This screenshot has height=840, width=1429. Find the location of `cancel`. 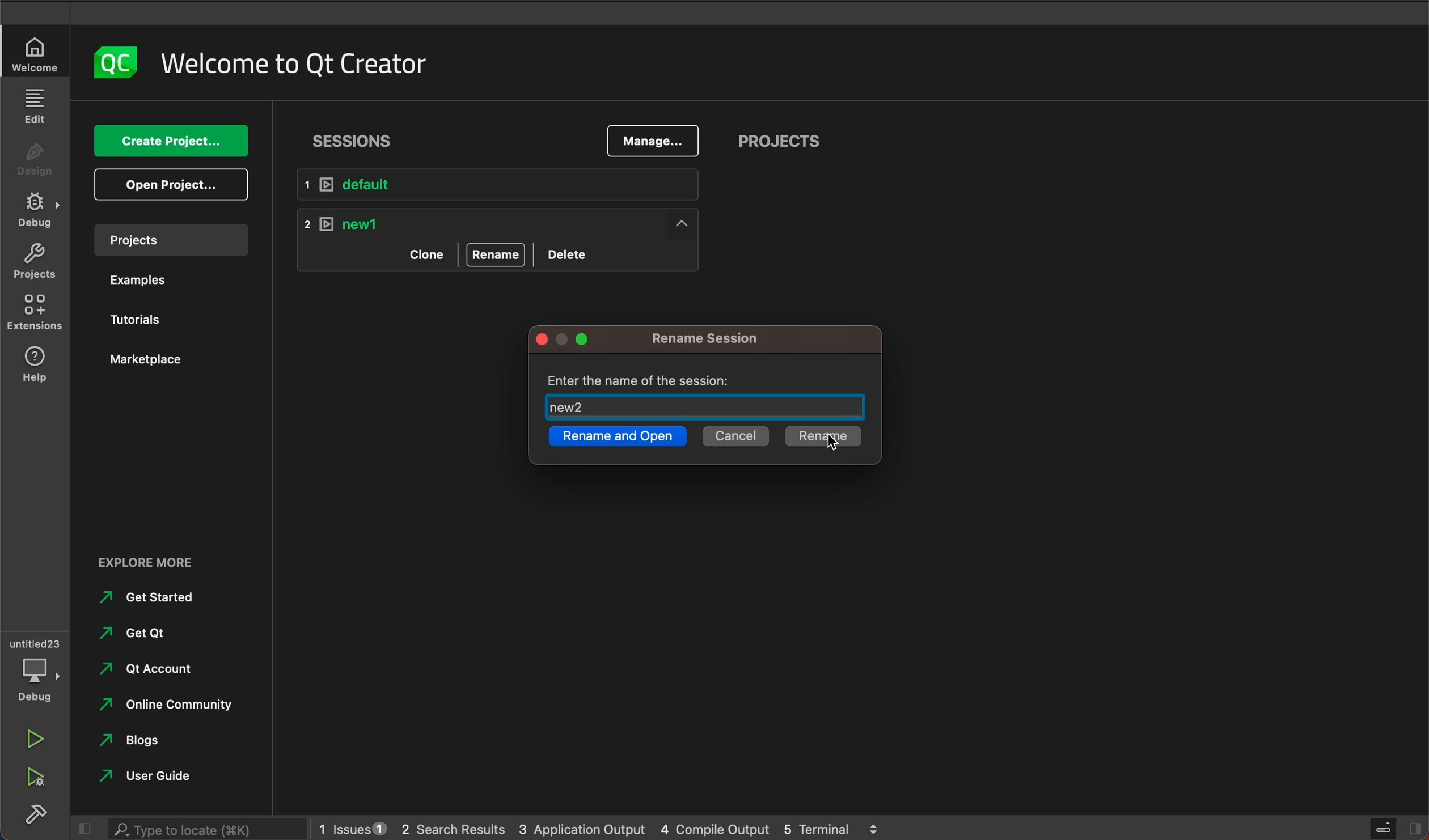

cancel is located at coordinates (734, 438).